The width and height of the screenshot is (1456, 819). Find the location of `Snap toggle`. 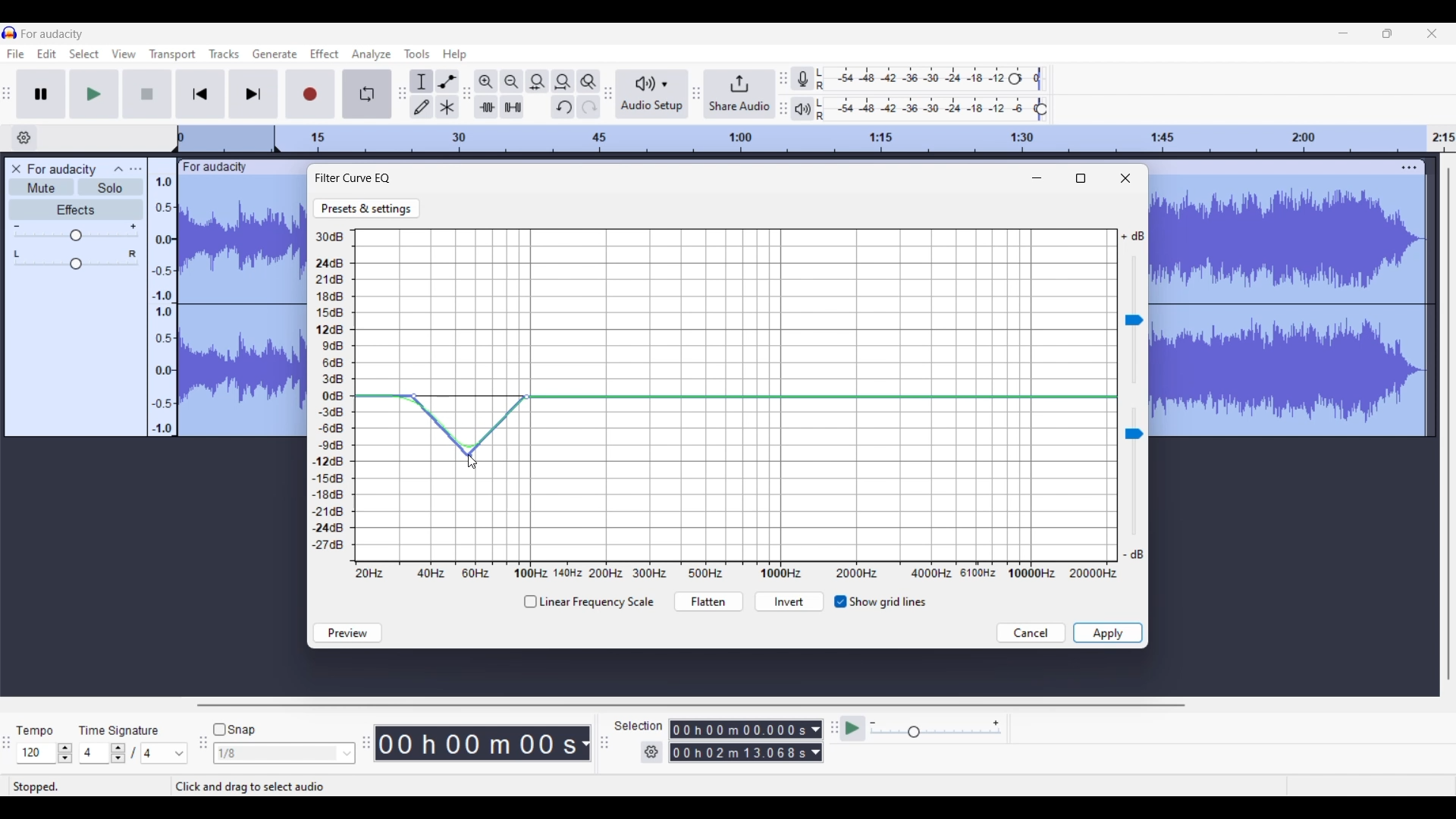

Snap toggle is located at coordinates (234, 730).